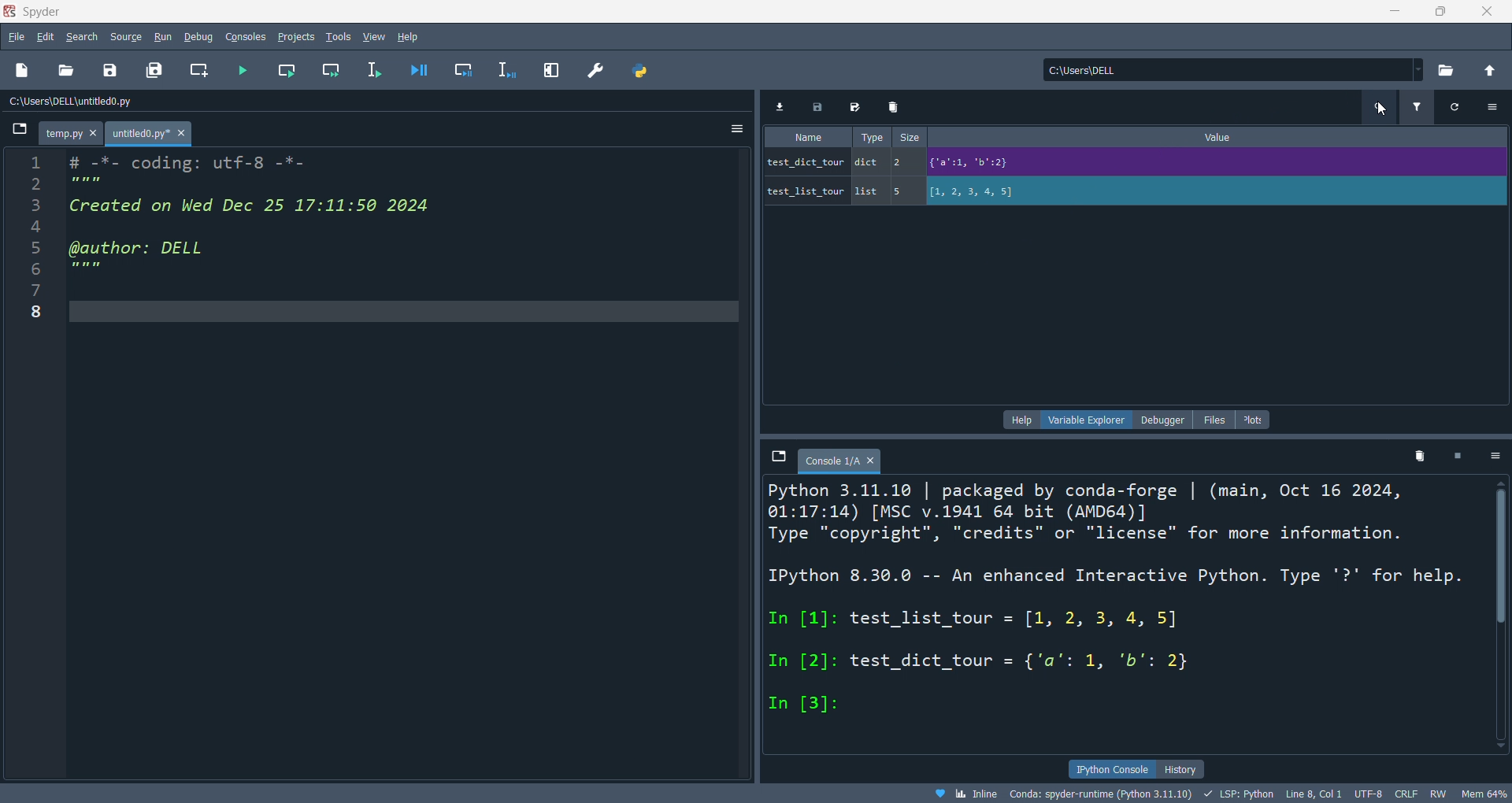 The width and height of the screenshot is (1512, 803). I want to click on  close kernel, so click(1464, 457).